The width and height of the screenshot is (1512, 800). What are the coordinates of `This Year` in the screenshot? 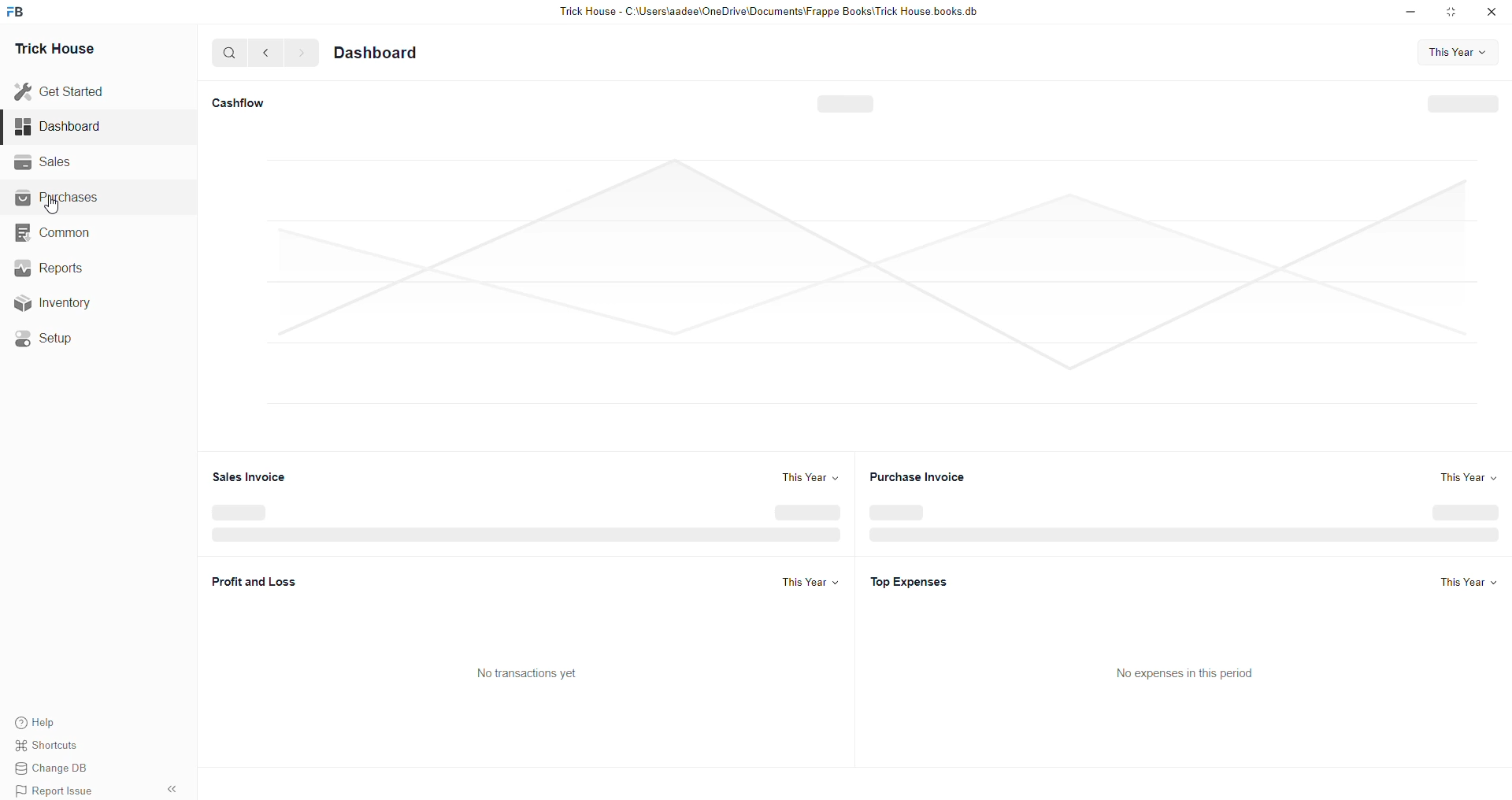 It's located at (1466, 476).